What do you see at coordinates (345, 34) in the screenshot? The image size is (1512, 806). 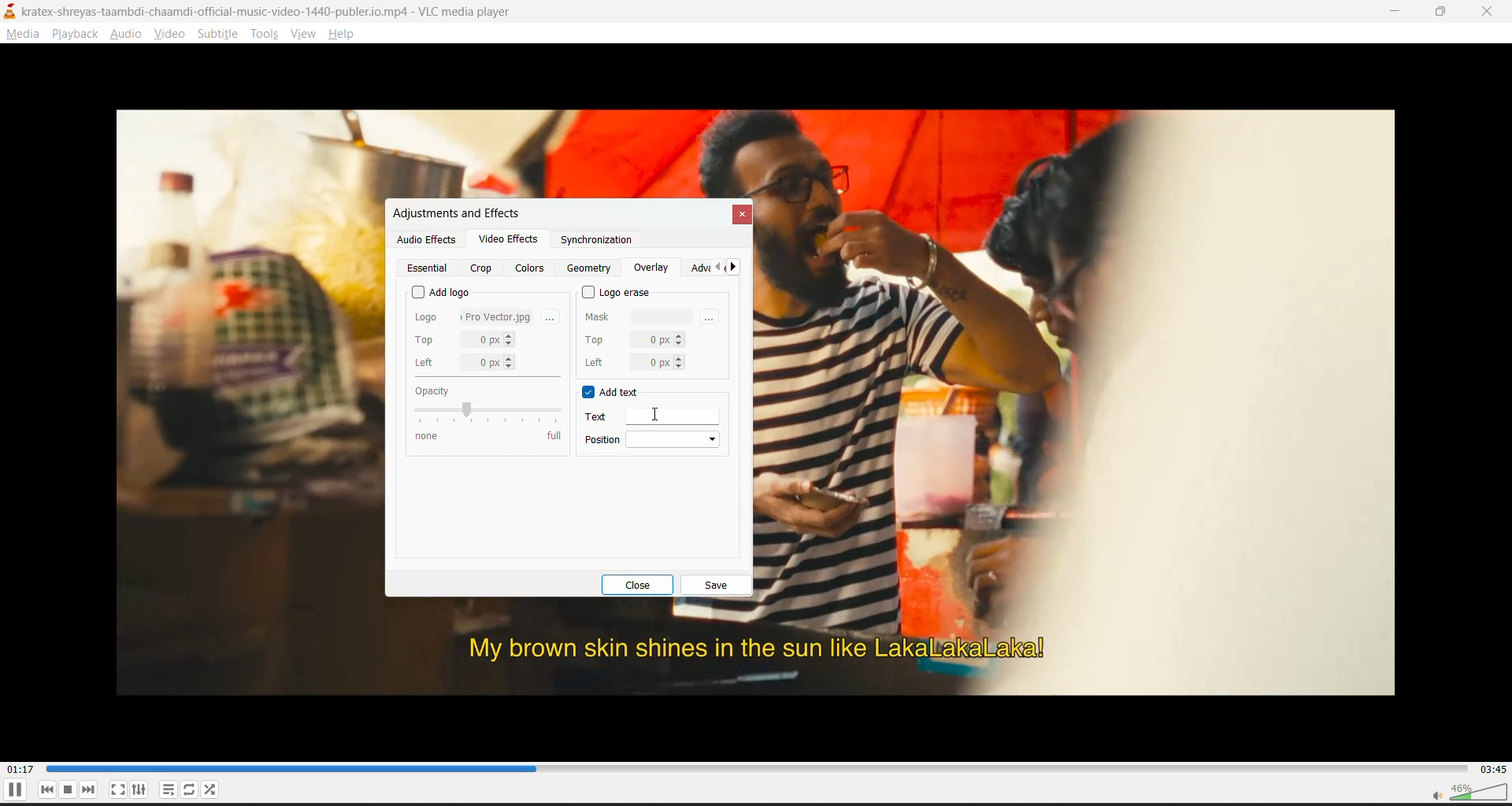 I see `help` at bounding box center [345, 34].